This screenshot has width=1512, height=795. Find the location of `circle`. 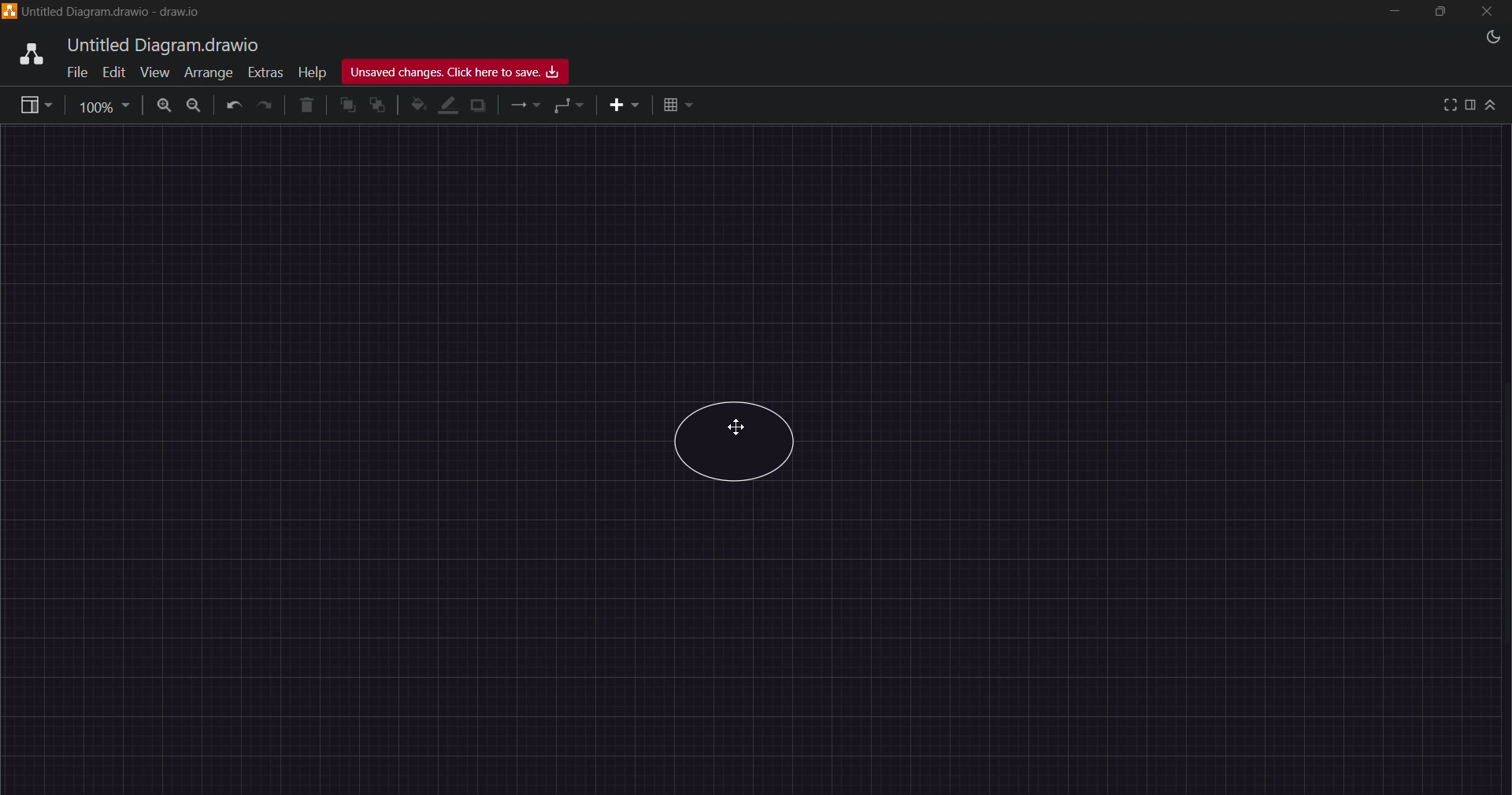

circle is located at coordinates (736, 443).